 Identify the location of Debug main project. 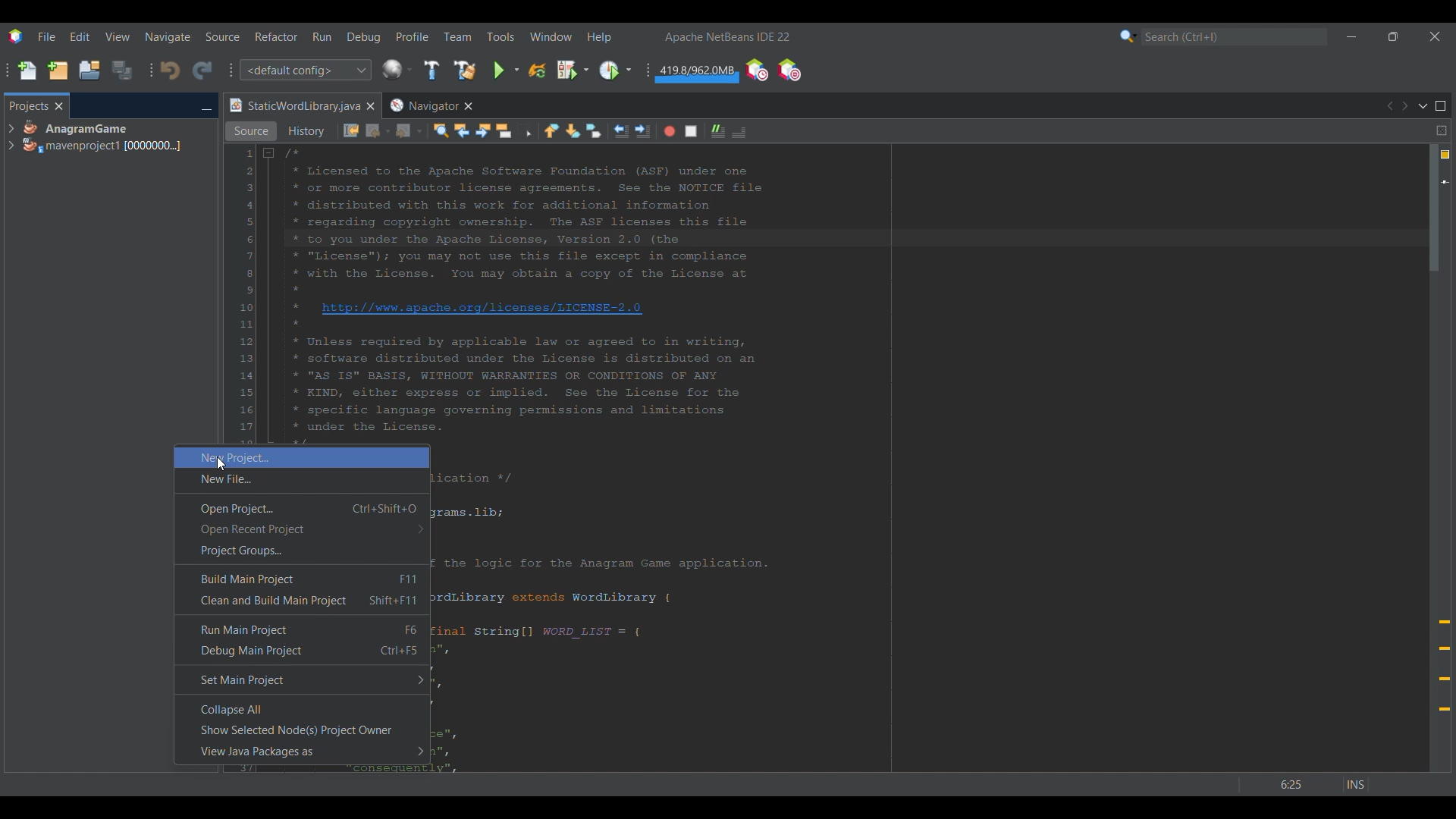
(303, 651).